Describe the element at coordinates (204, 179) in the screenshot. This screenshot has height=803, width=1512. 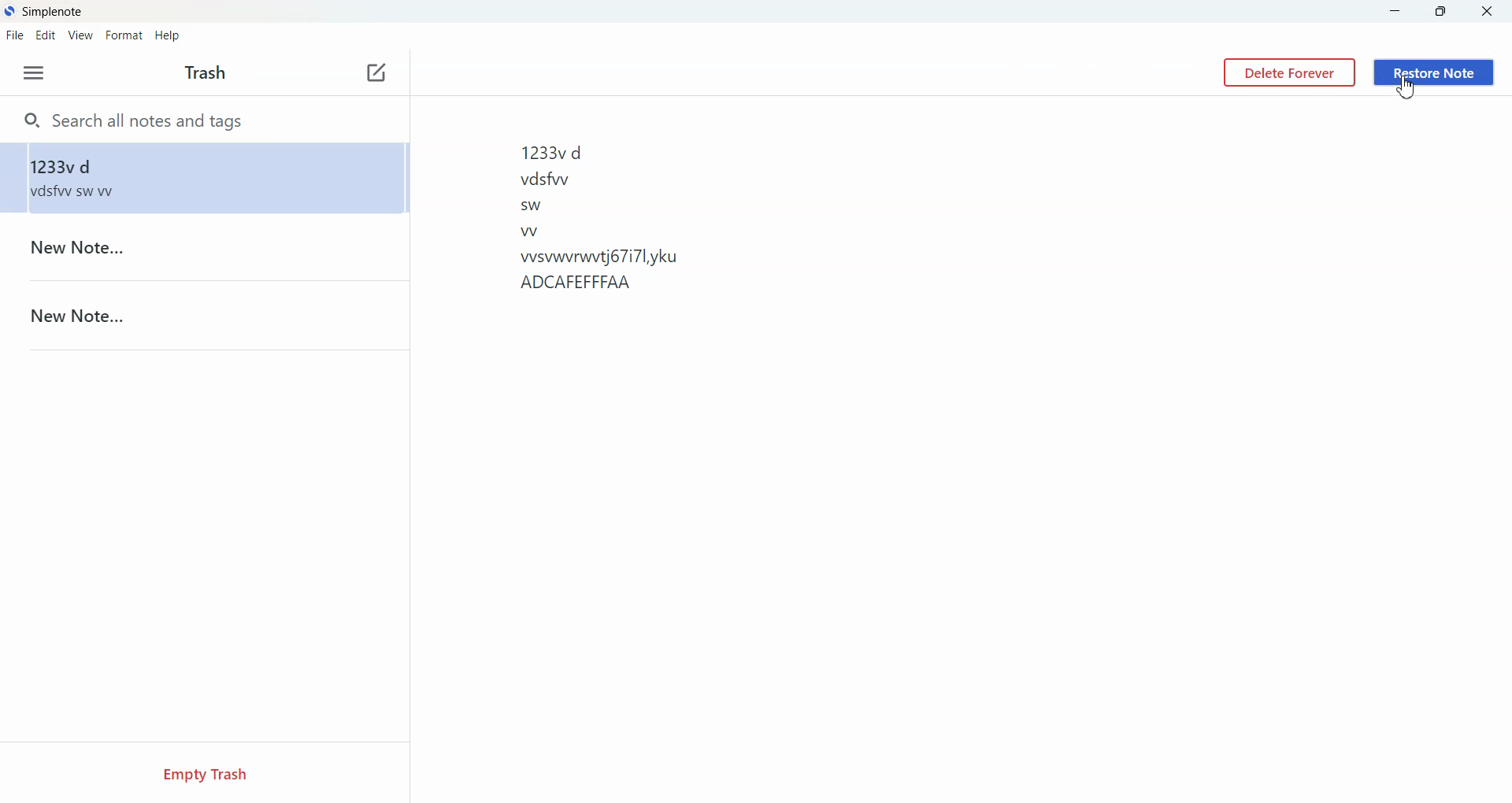
I see `1233v d` at that location.